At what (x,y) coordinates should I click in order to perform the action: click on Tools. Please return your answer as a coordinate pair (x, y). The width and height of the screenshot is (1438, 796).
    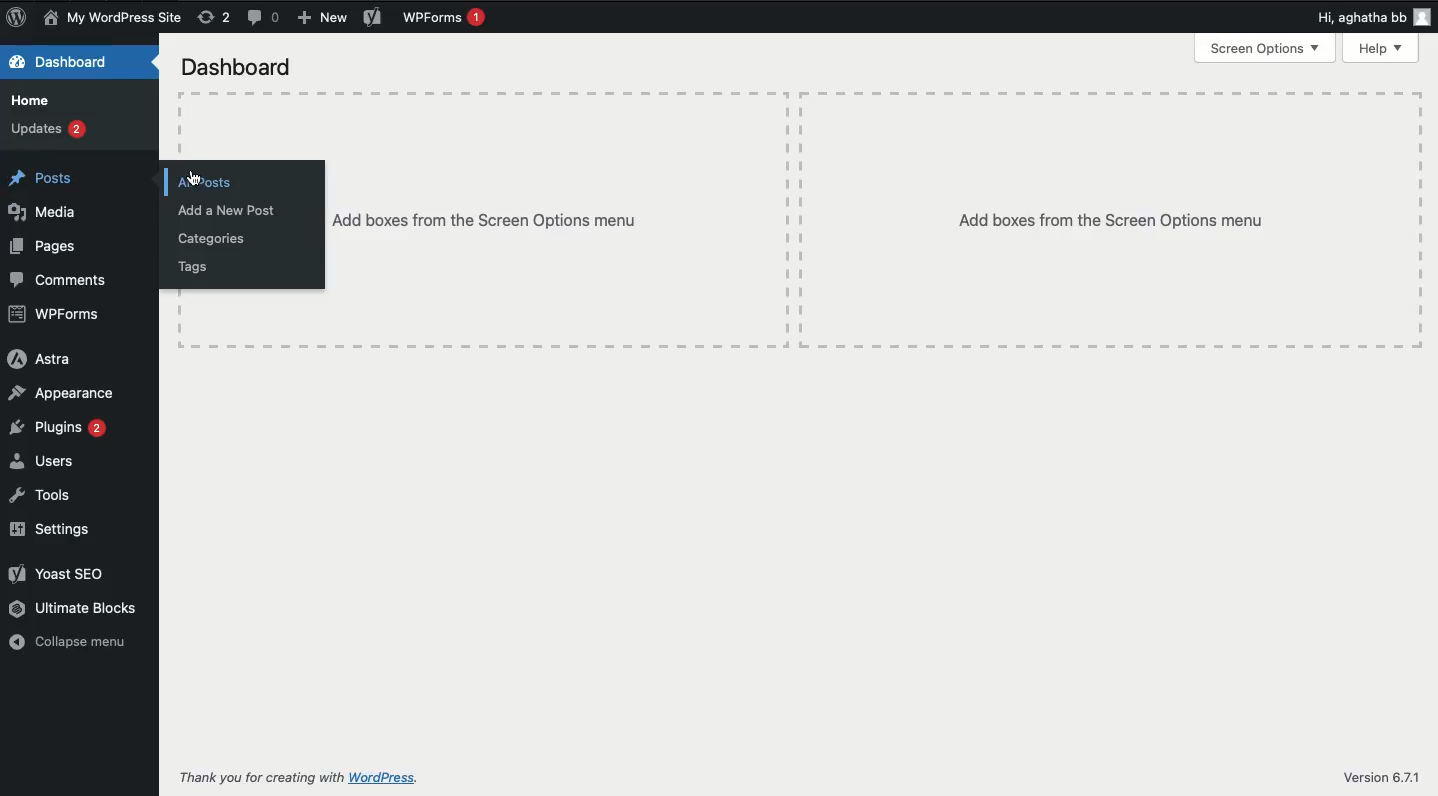
    Looking at the image, I should click on (39, 495).